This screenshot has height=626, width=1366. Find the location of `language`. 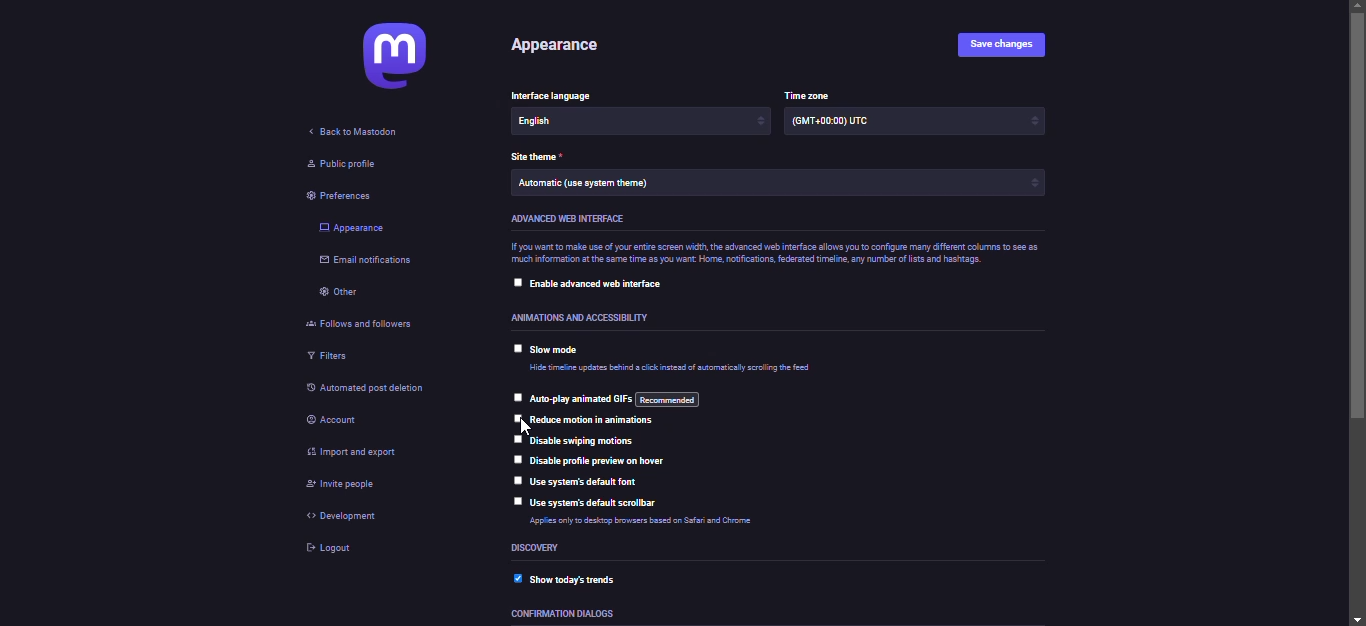

language is located at coordinates (567, 123).